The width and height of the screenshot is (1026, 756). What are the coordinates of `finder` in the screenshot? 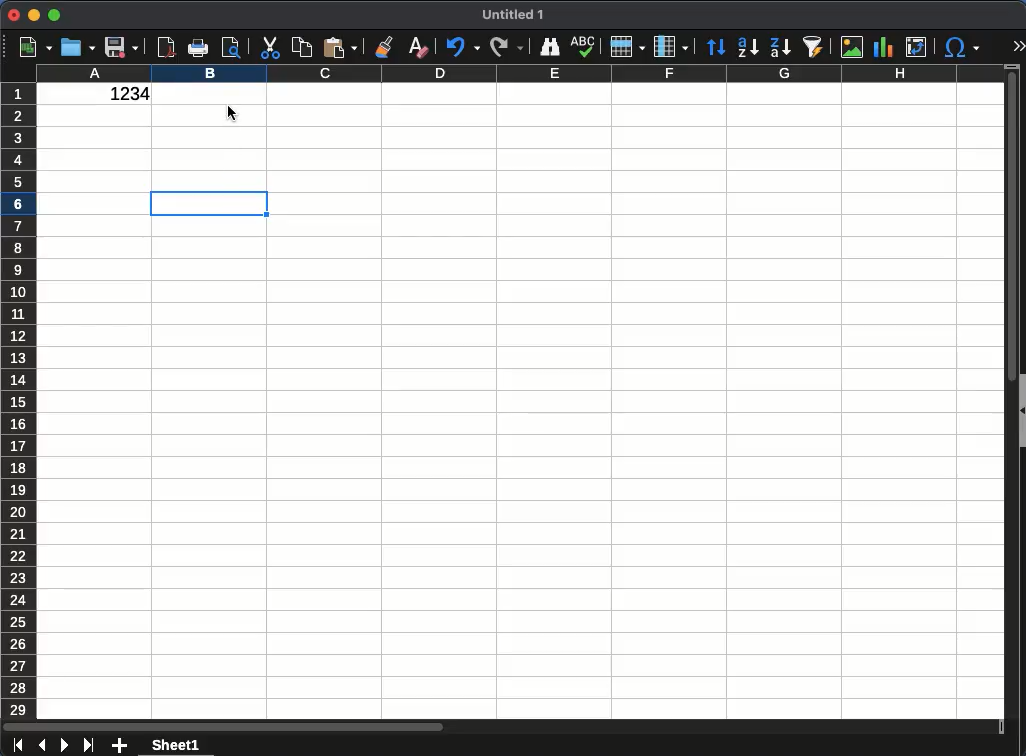 It's located at (549, 47).